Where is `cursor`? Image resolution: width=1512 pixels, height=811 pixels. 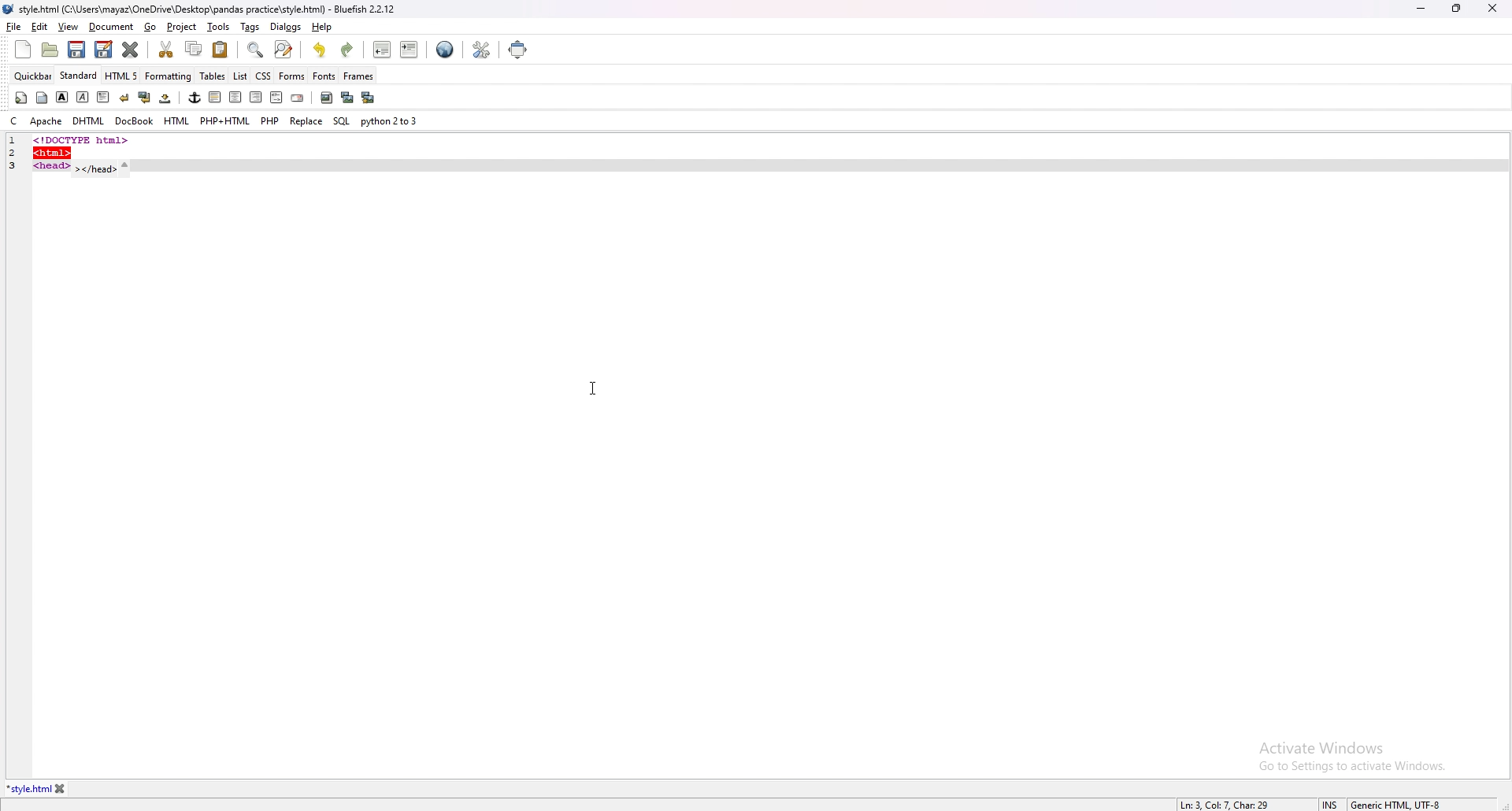
cursor is located at coordinates (593, 387).